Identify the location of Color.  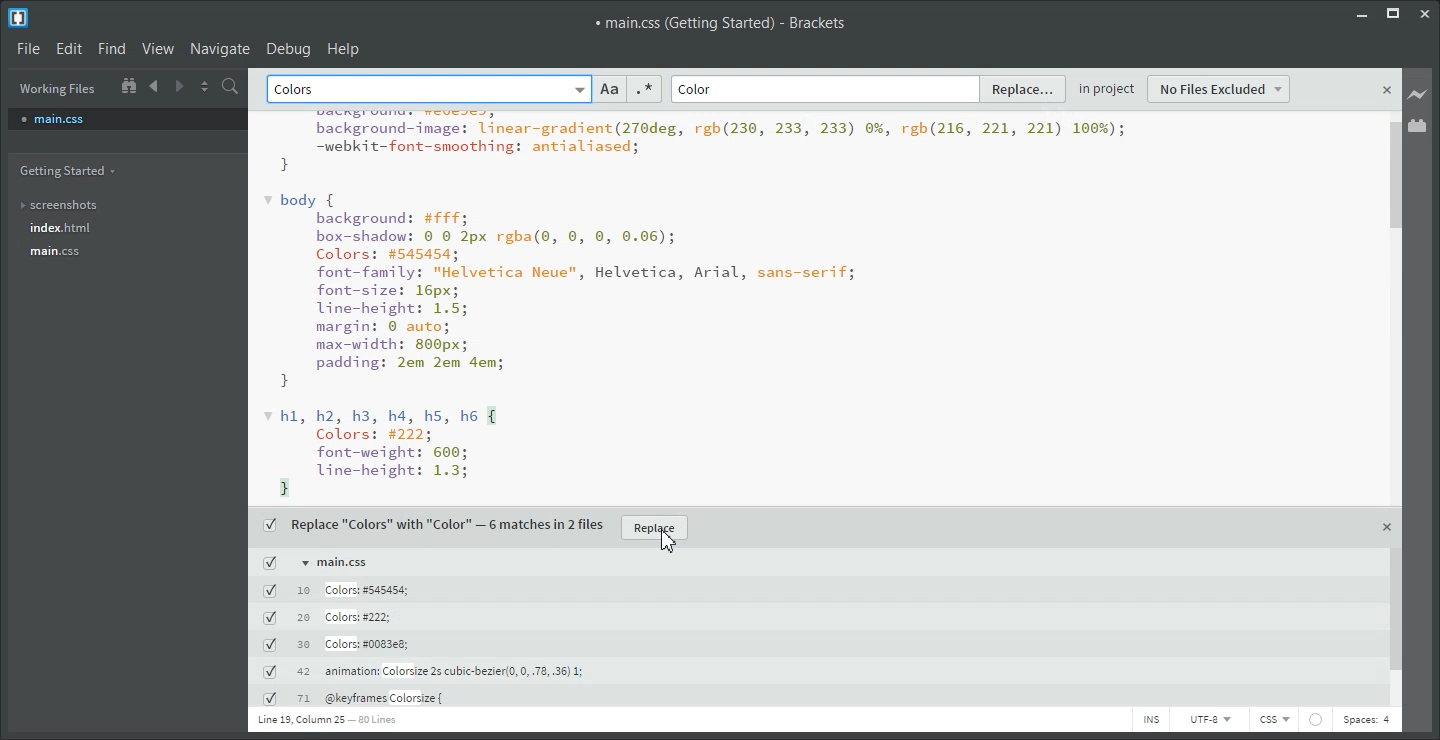
(697, 90).